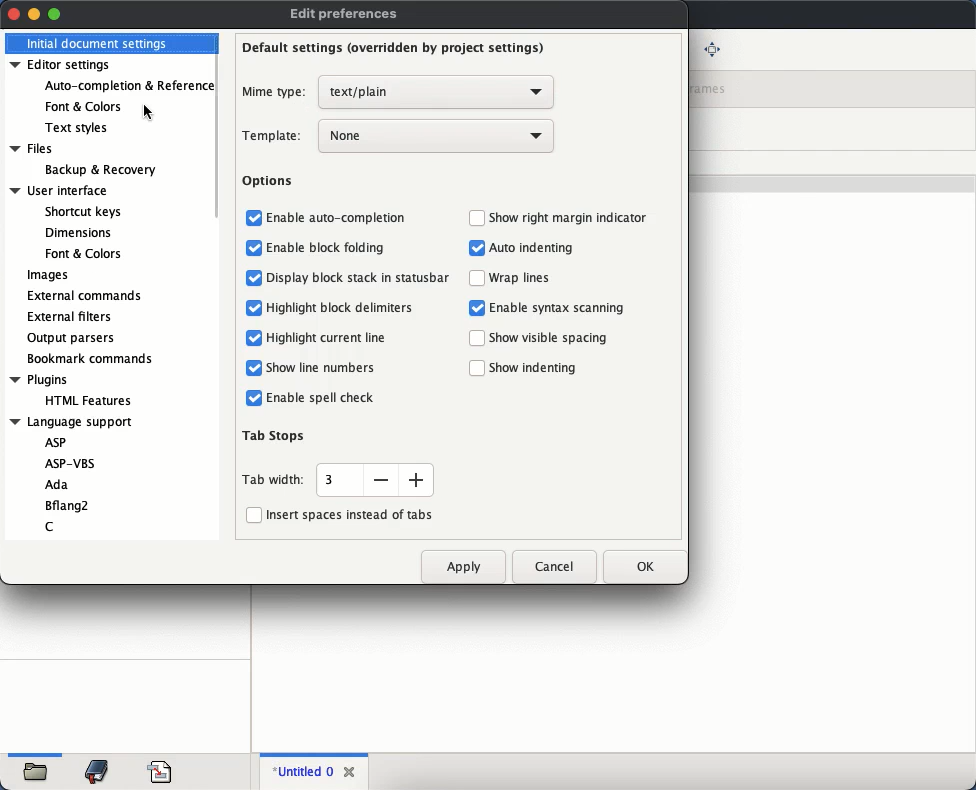 The width and height of the screenshot is (976, 790). What do you see at coordinates (100, 168) in the screenshot?
I see `backup & recovery` at bounding box center [100, 168].